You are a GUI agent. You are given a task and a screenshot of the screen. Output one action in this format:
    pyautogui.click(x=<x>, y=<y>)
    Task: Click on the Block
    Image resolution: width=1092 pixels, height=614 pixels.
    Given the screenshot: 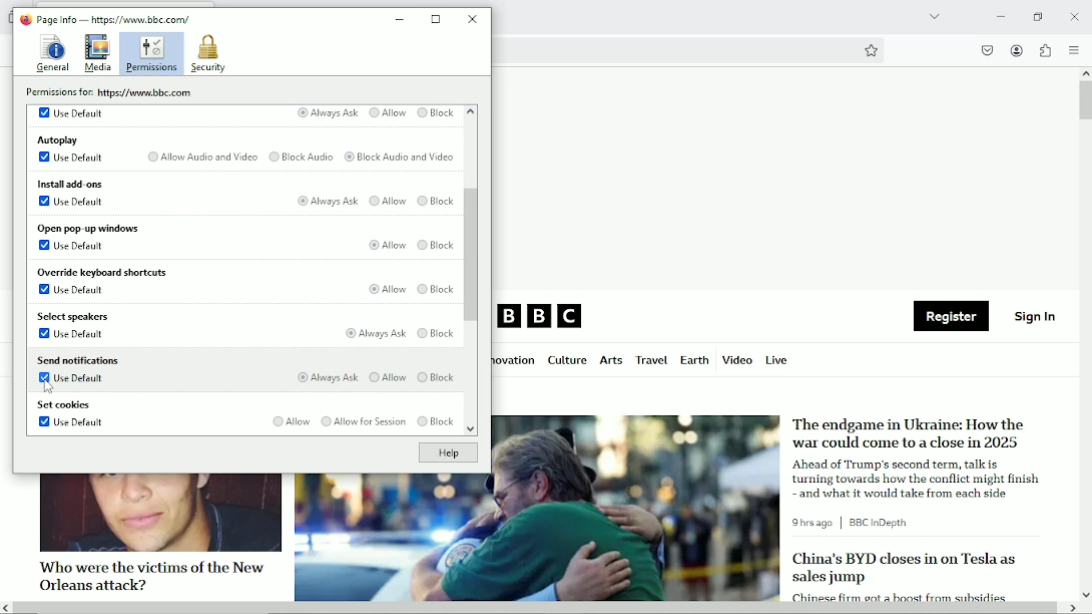 What is the action you would take?
    pyautogui.click(x=436, y=113)
    